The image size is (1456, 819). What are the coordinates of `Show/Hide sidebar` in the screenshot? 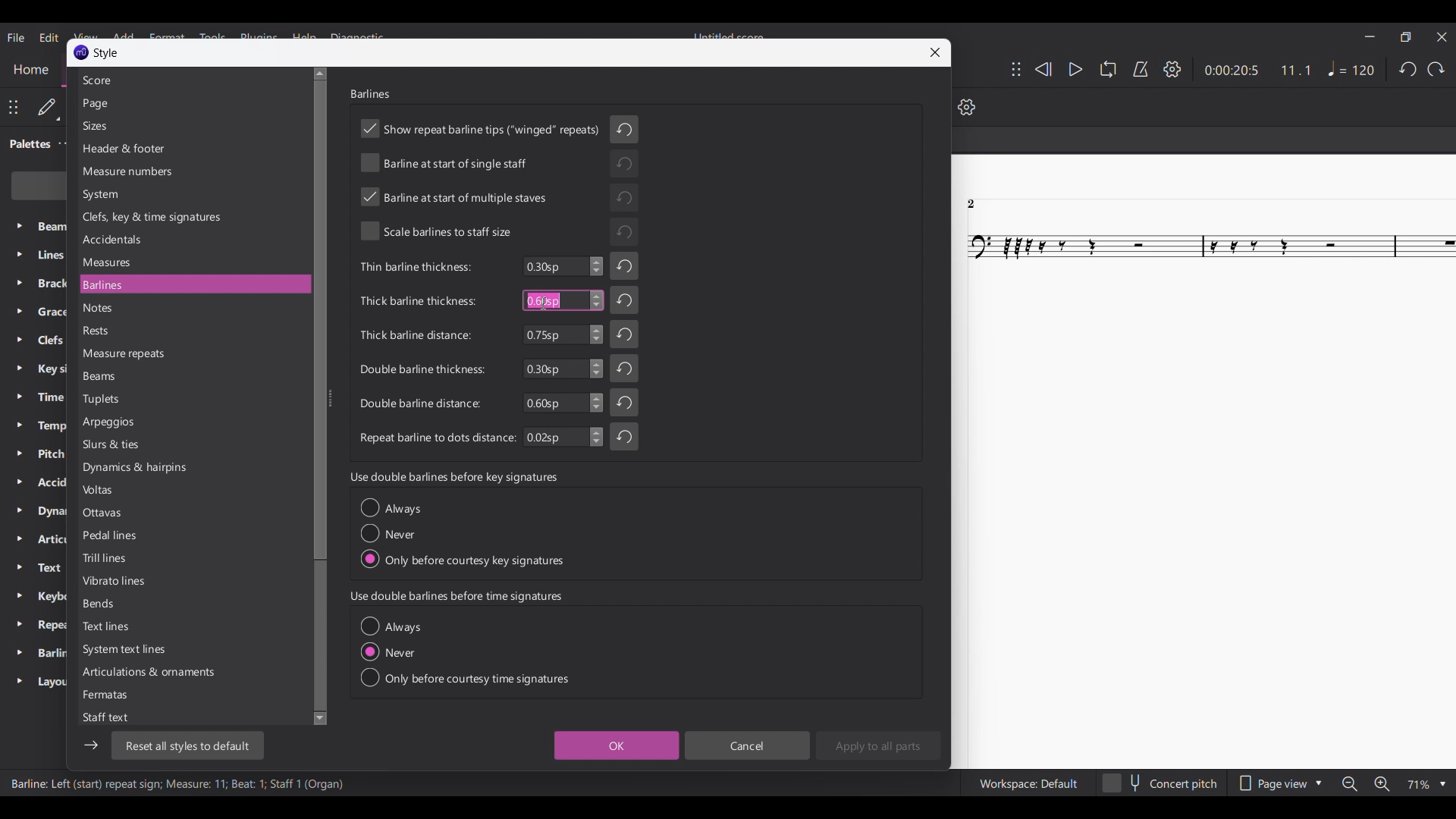 It's located at (90, 745).